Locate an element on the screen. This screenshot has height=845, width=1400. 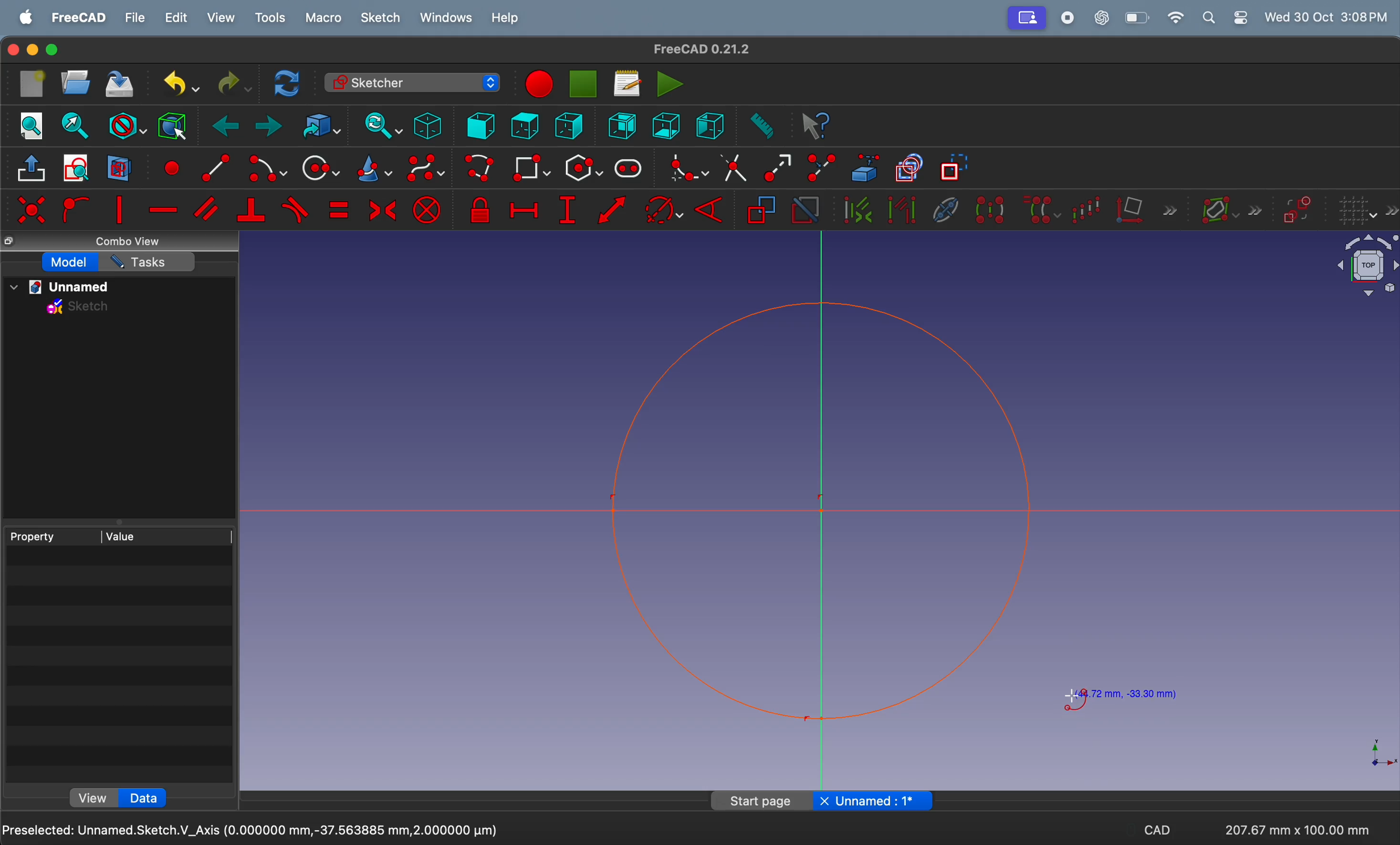
file is located at coordinates (136, 18).